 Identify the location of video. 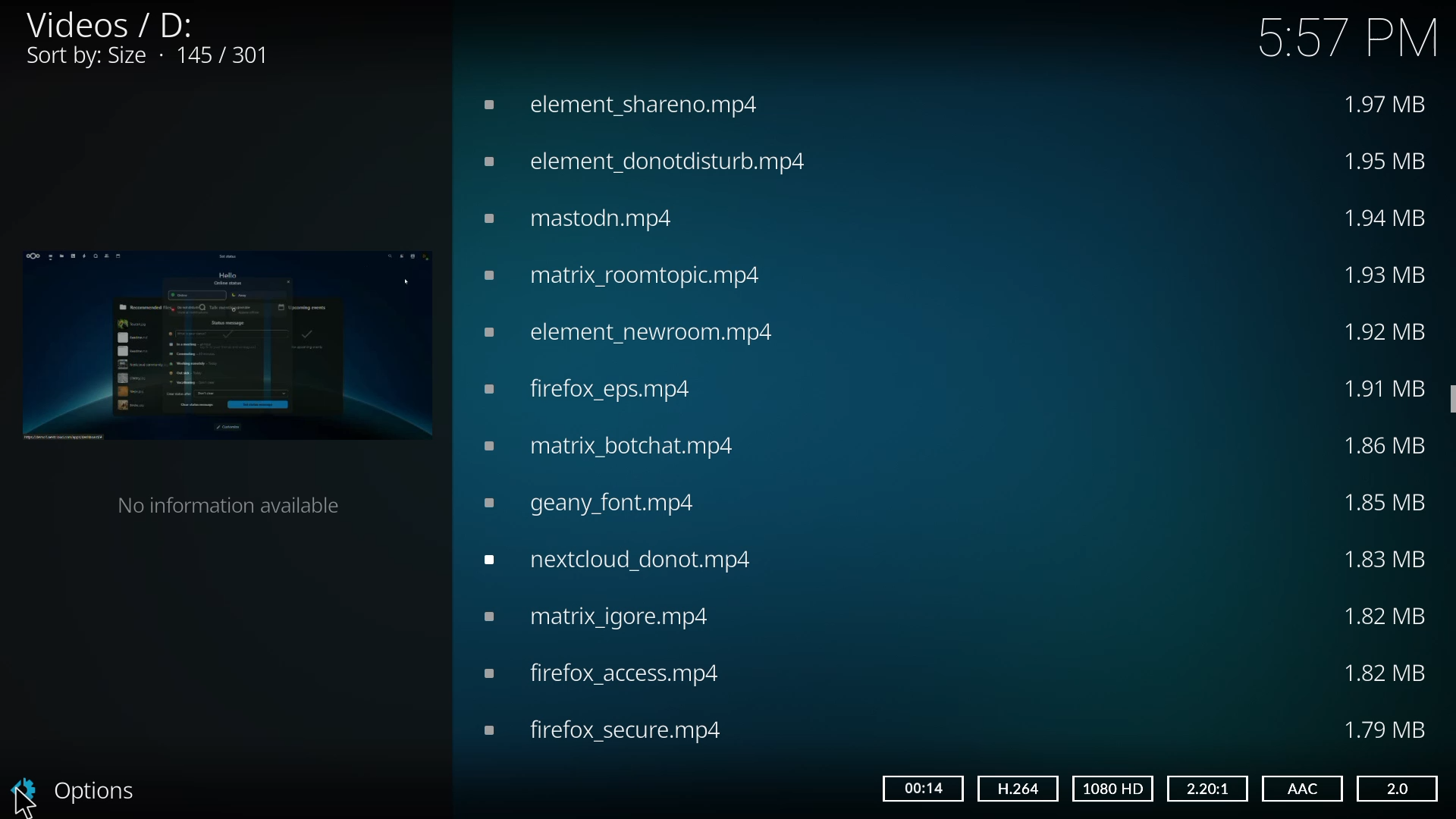
(224, 344).